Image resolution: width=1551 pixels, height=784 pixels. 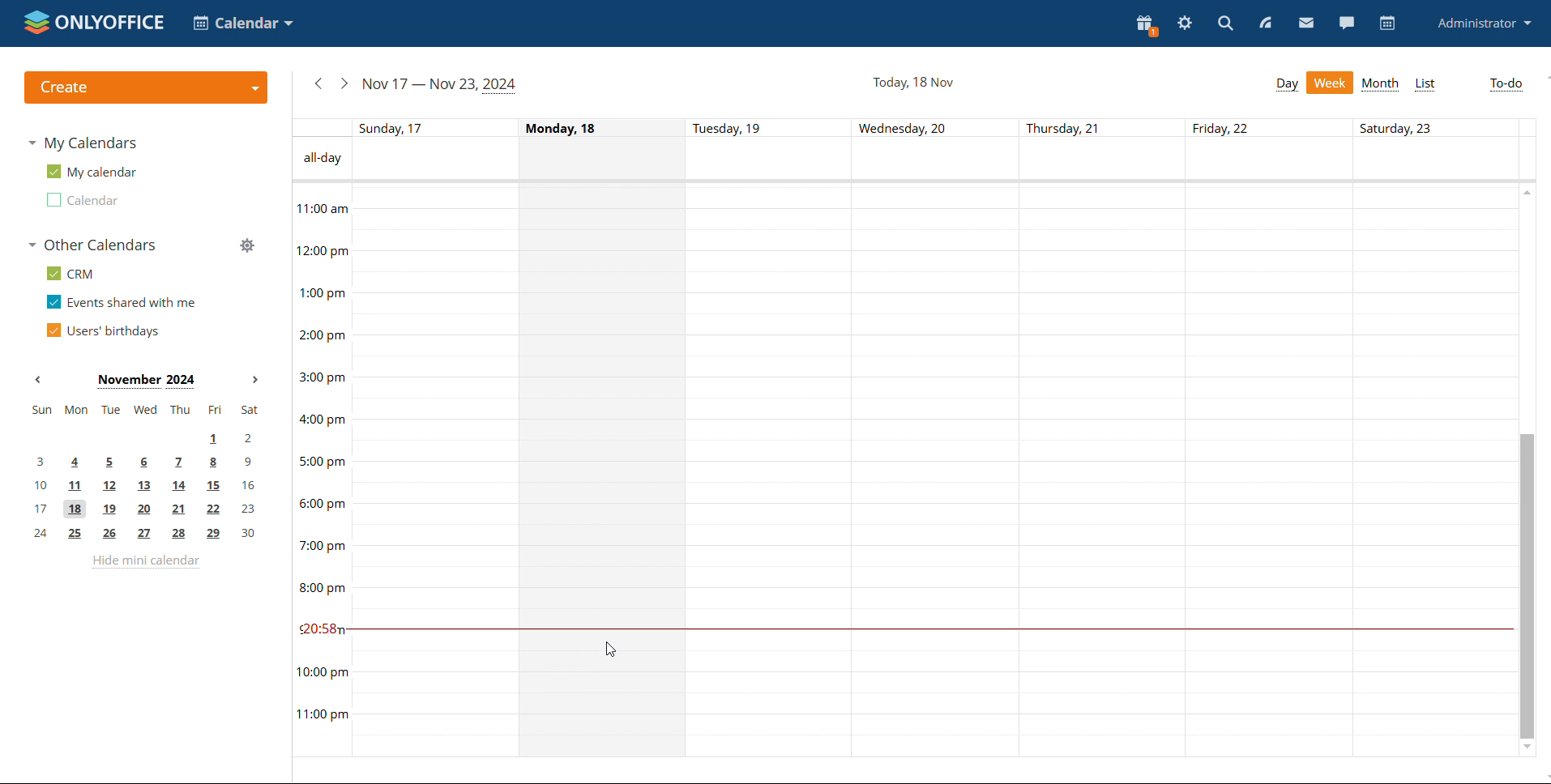 I want to click on all-day event, so click(x=934, y=160).